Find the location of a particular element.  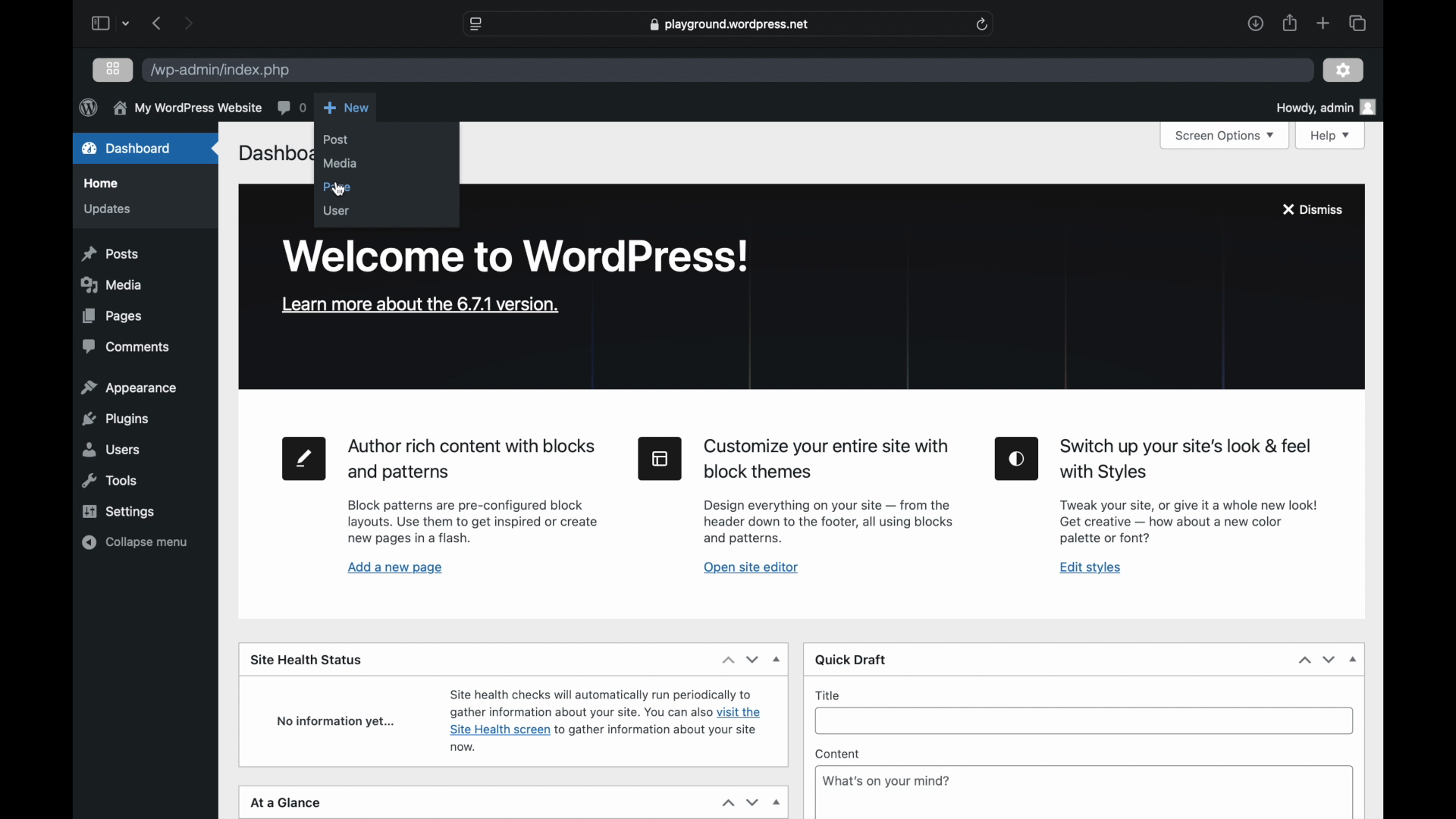

new tab is located at coordinates (1323, 24).